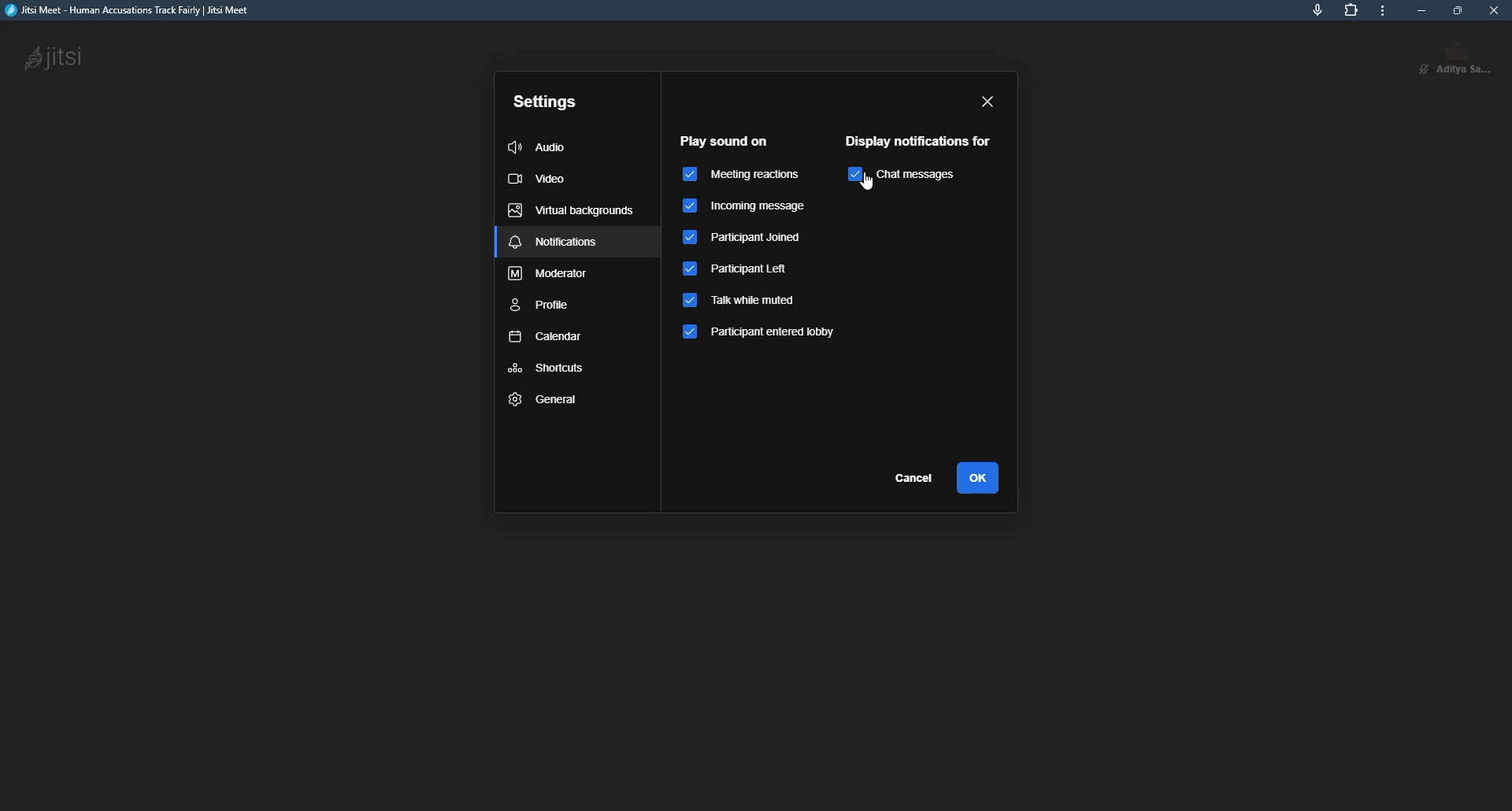 This screenshot has height=811, width=1512. I want to click on mic, so click(1317, 11).